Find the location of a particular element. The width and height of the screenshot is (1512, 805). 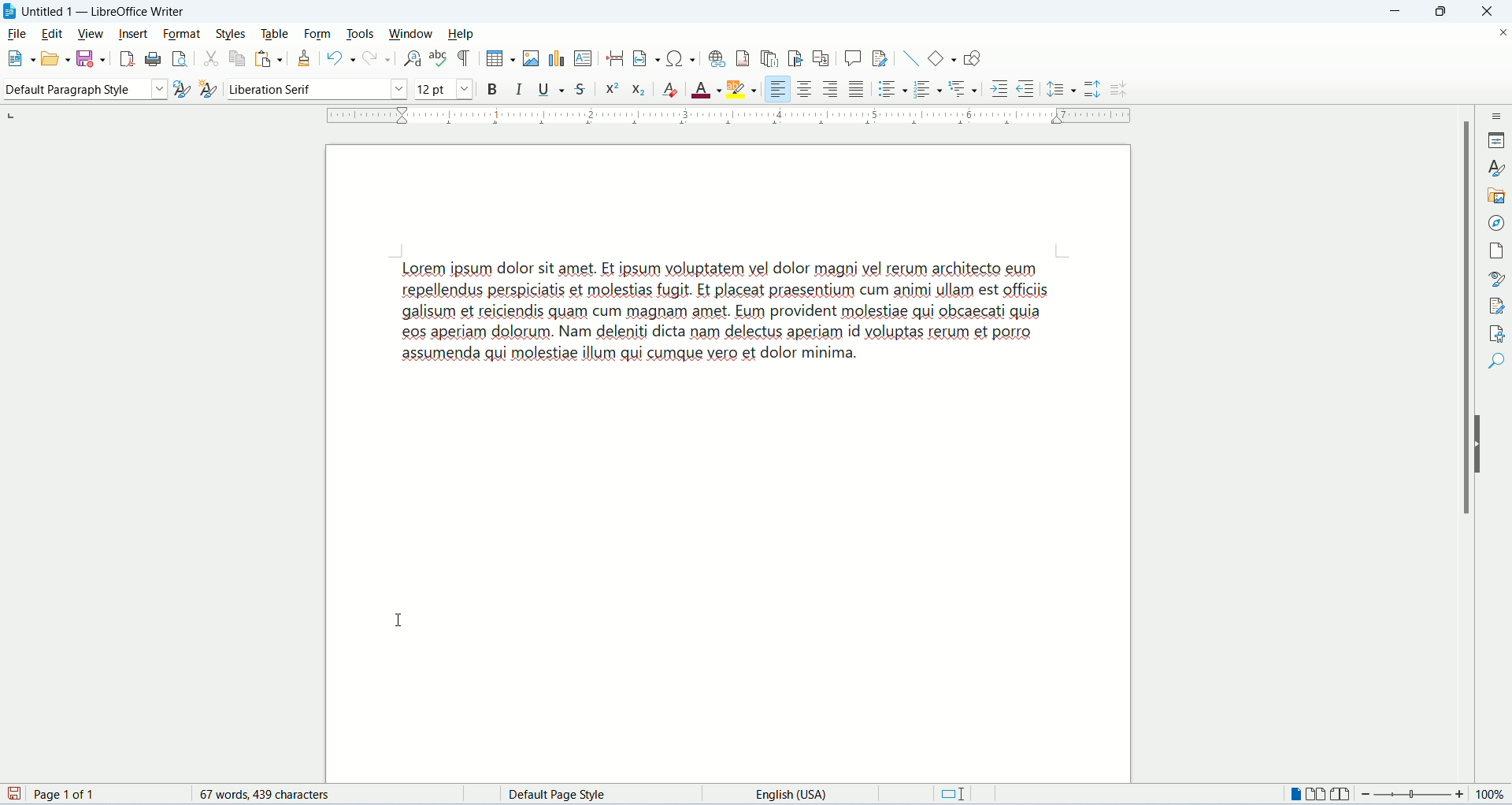

undo is located at coordinates (331, 59).